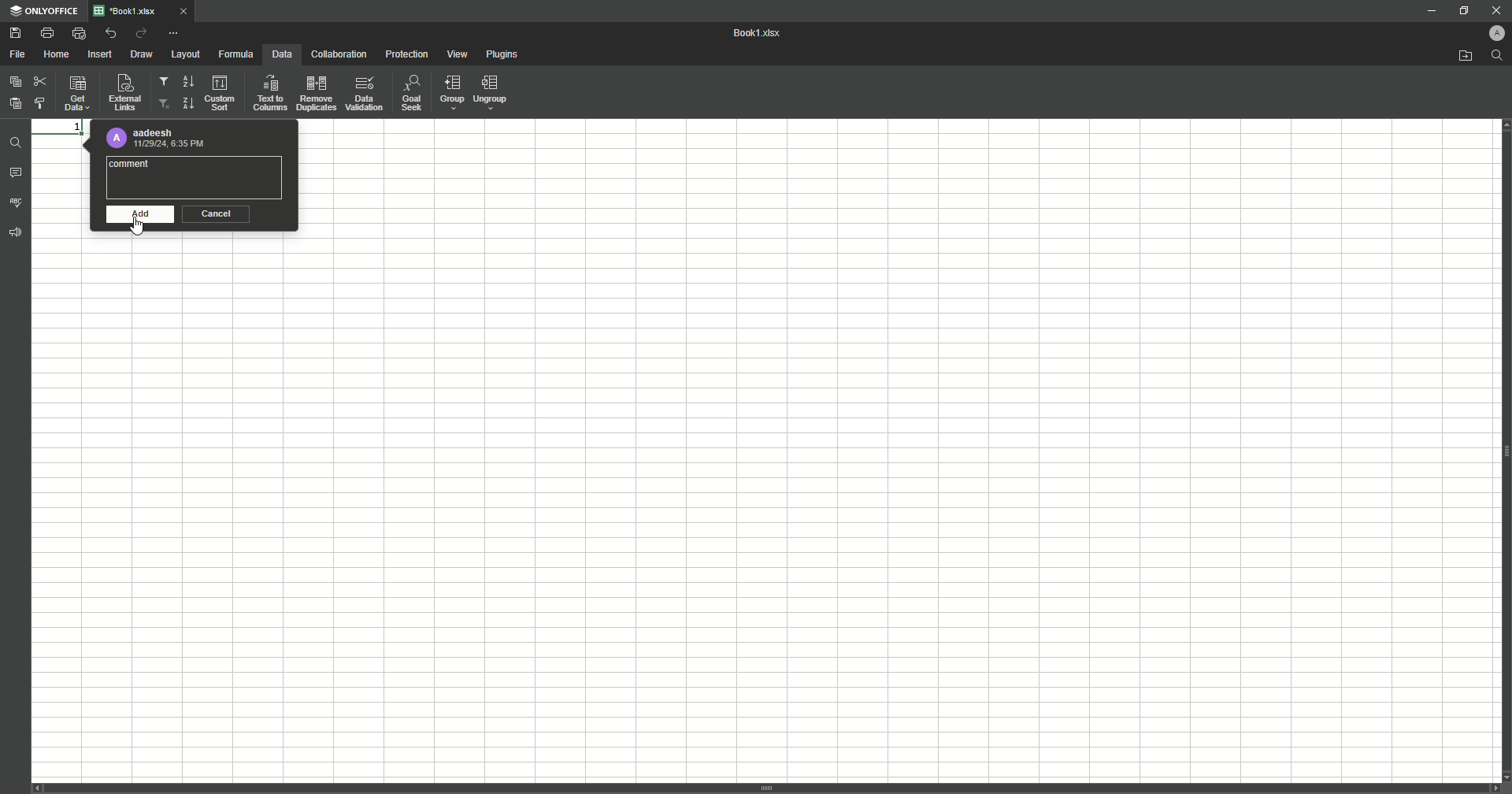  I want to click on Plugins, so click(504, 55).